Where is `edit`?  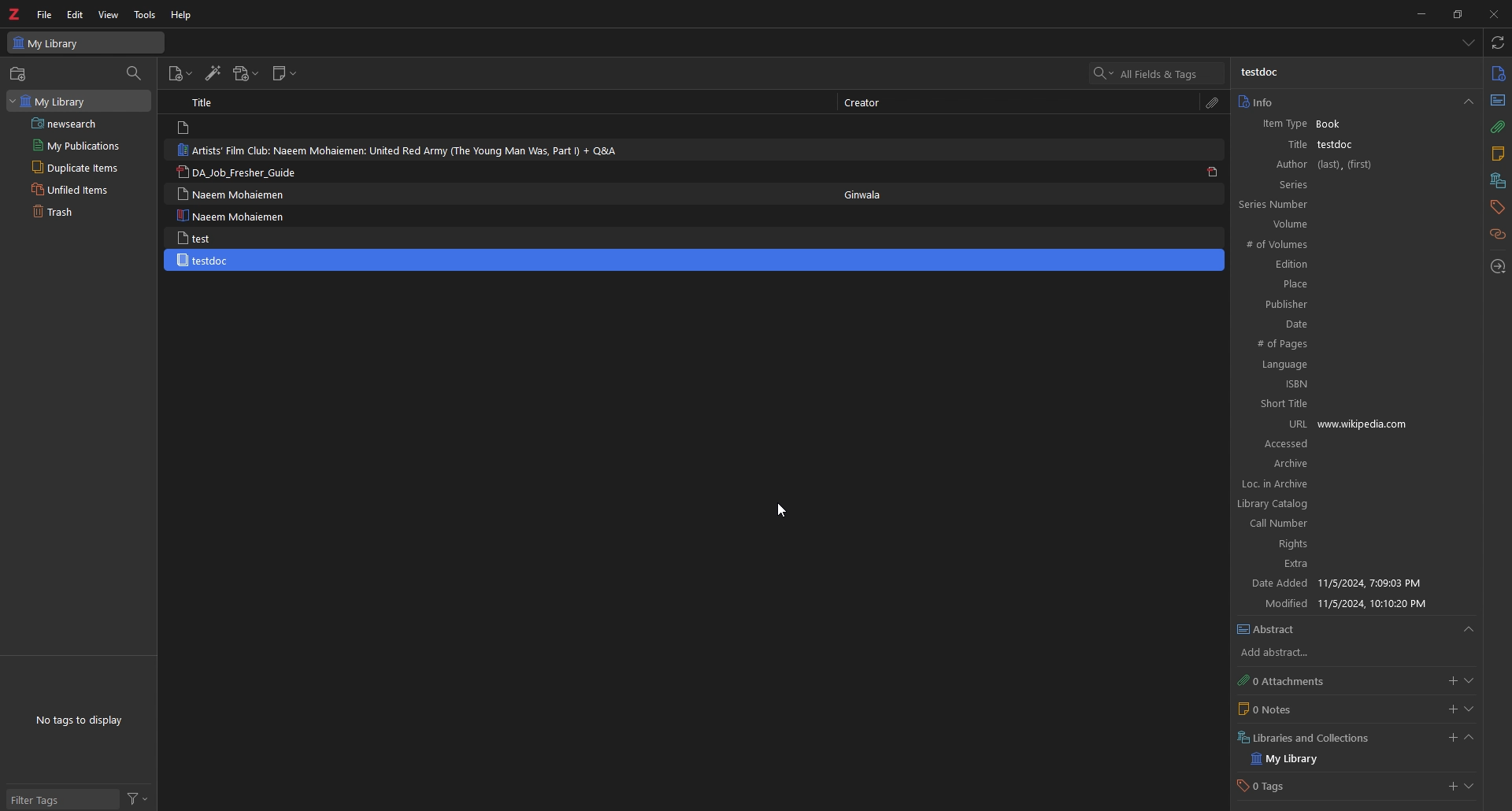
edit is located at coordinates (76, 14).